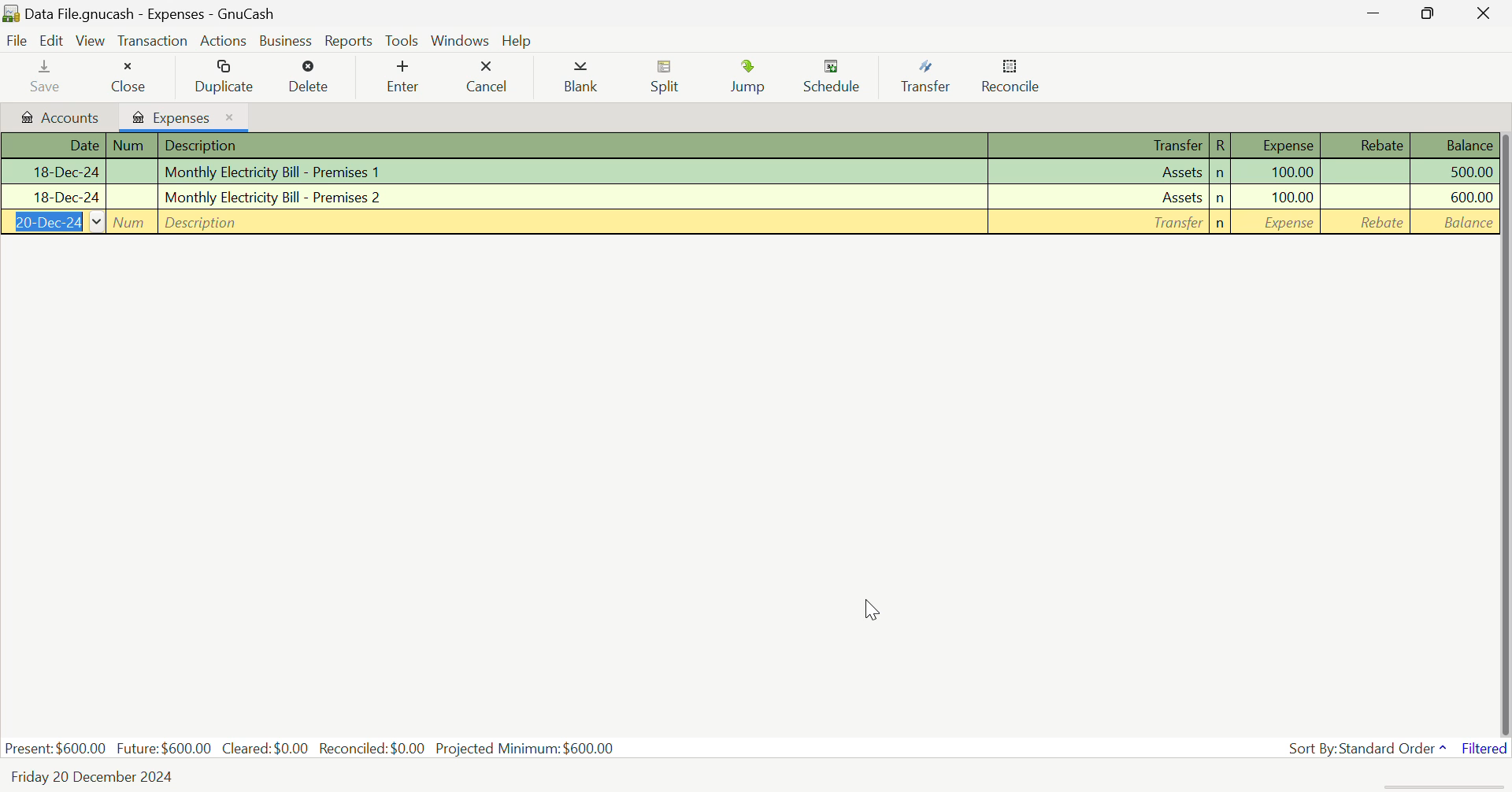 The image size is (1512, 792). I want to click on n, so click(1219, 224).